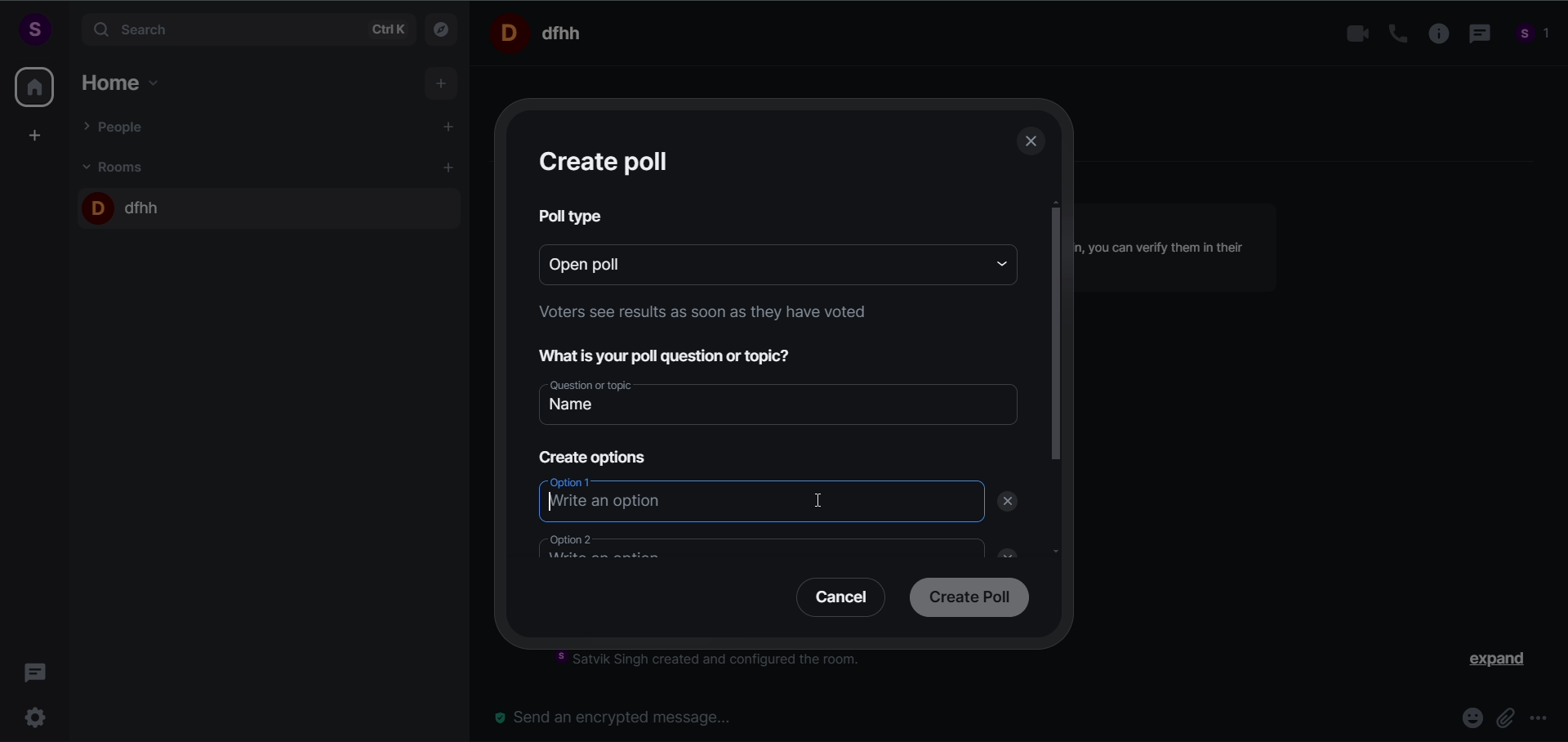  What do you see at coordinates (1487, 663) in the screenshot?
I see `Expand` at bounding box center [1487, 663].